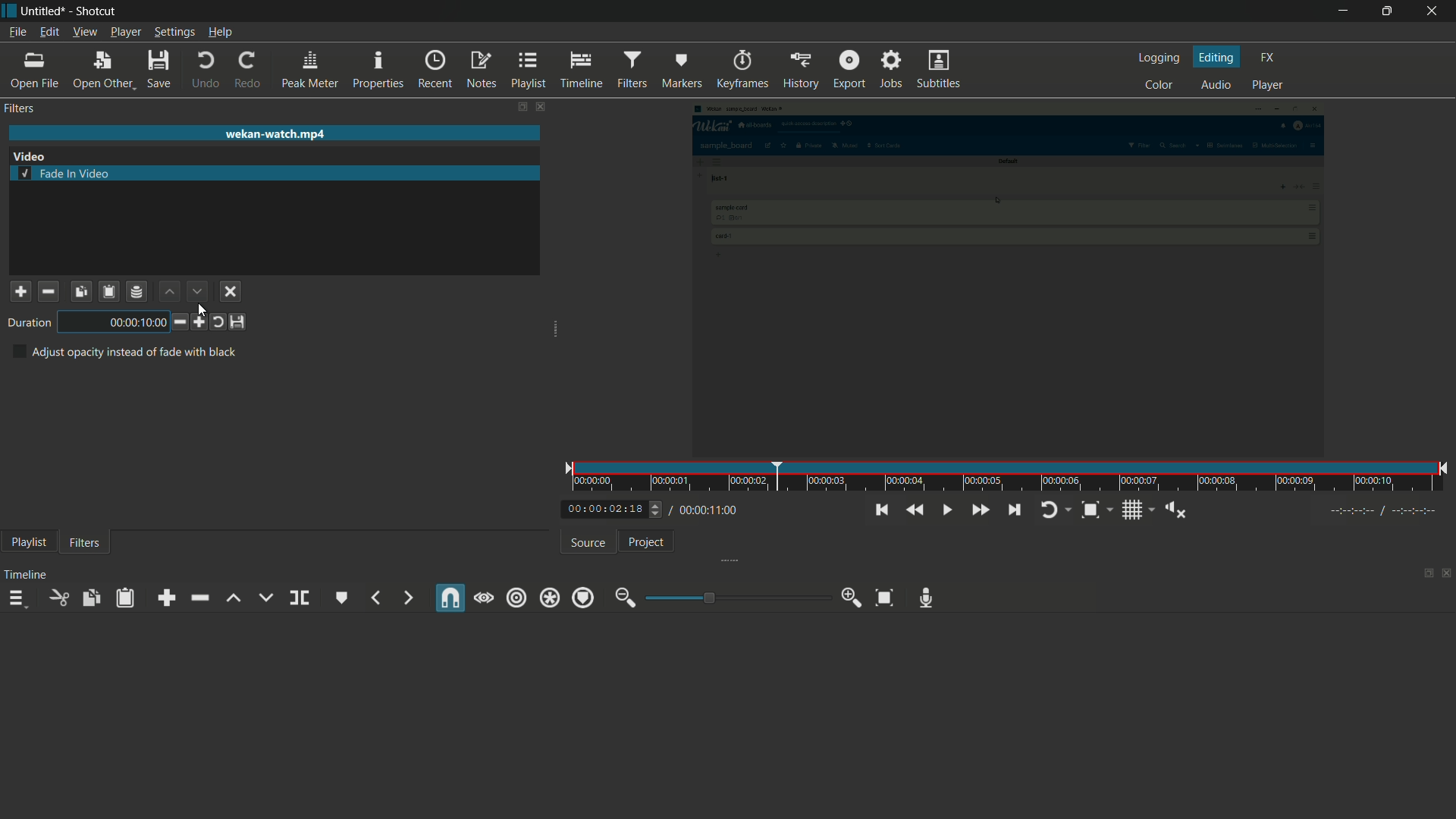 This screenshot has width=1456, height=819. What do you see at coordinates (1090, 511) in the screenshot?
I see `toggle zoom` at bounding box center [1090, 511].